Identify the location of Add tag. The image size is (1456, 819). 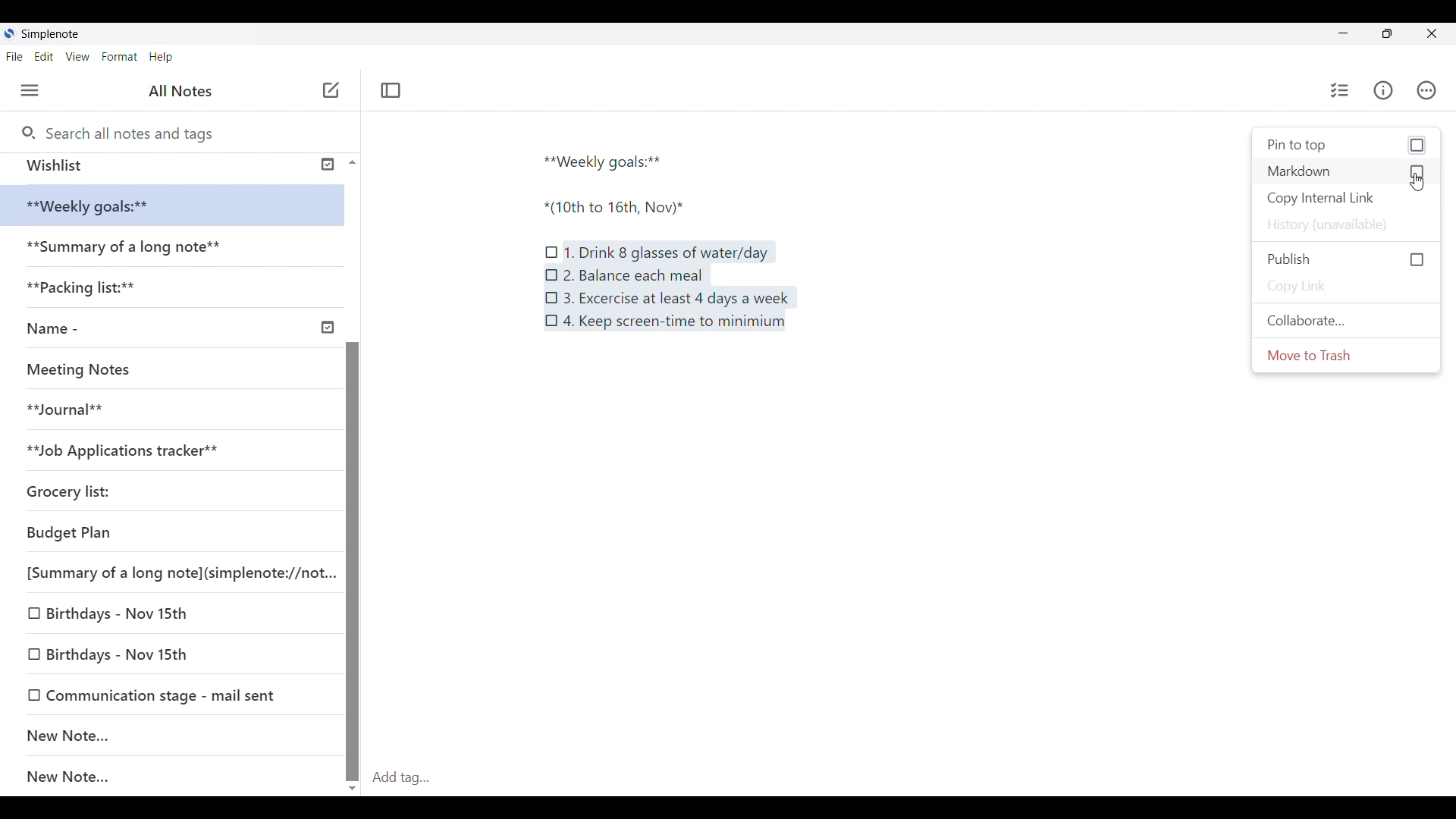
(910, 777).